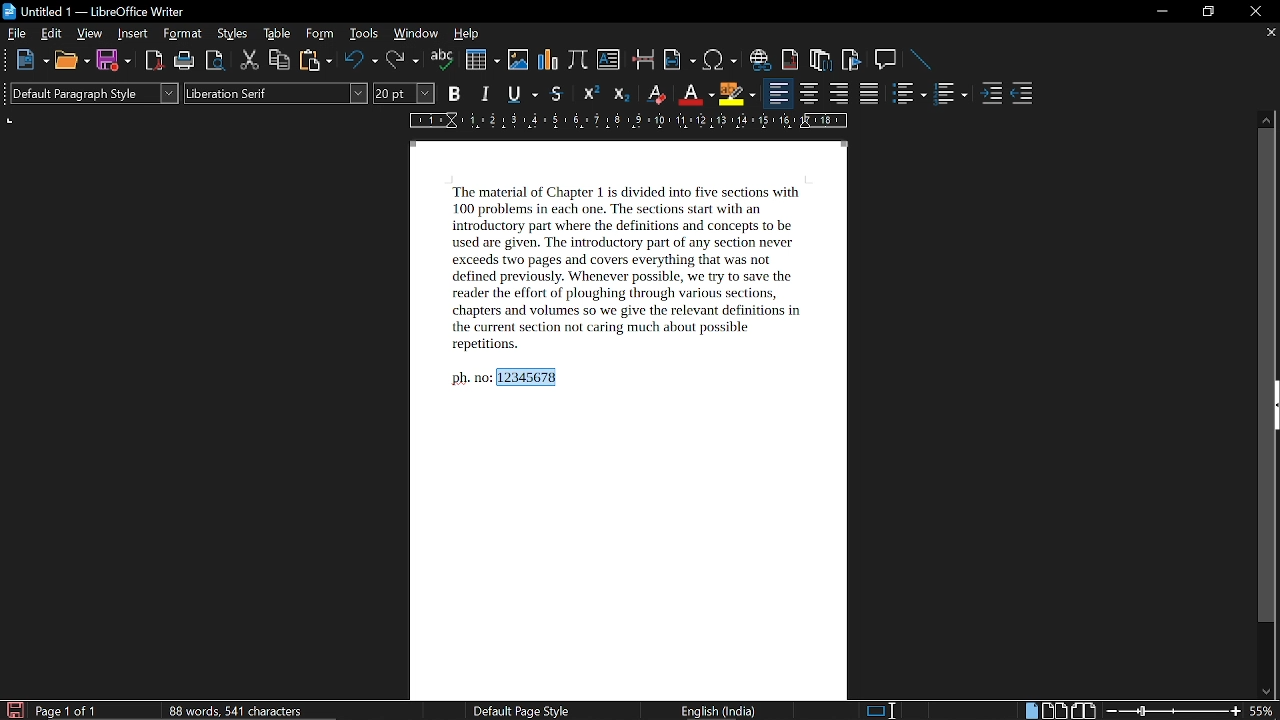 The height and width of the screenshot is (720, 1280). Describe the element at coordinates (678, 60) in the screenshot. I see `insert field` at that location.